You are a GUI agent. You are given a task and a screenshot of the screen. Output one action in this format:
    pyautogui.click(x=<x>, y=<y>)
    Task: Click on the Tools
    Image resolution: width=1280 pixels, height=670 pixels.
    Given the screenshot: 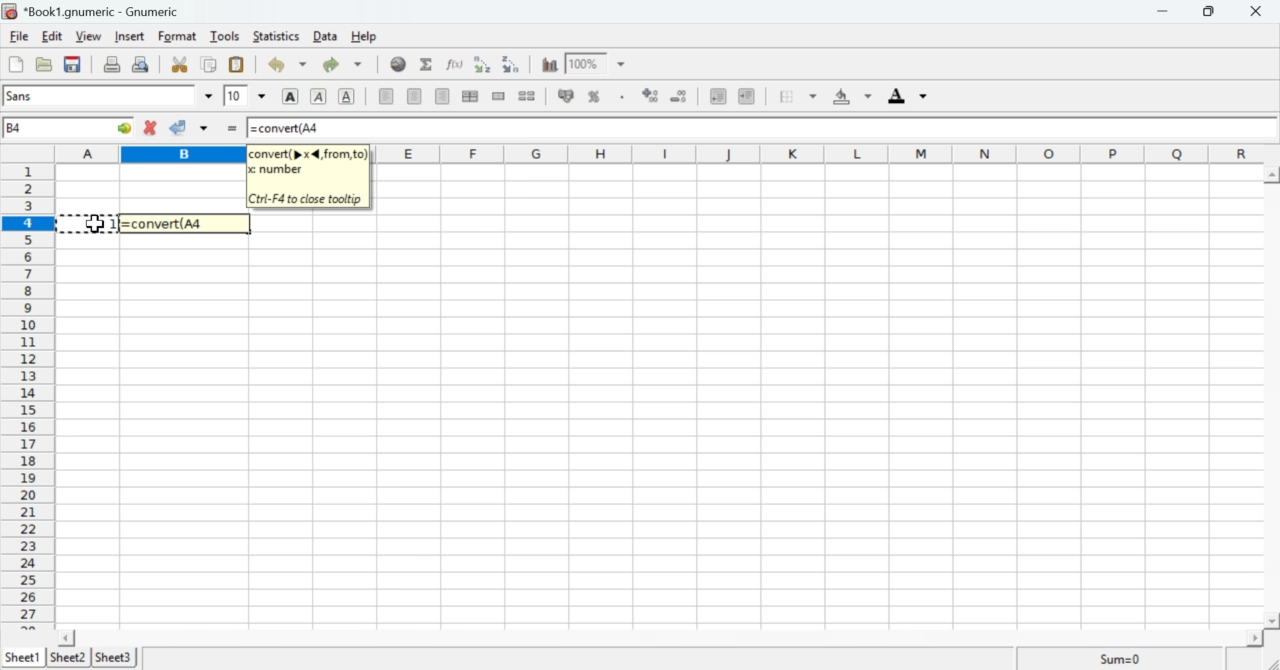 What is the action you would take?
    pyautogui.click(x=226, y=36)
    